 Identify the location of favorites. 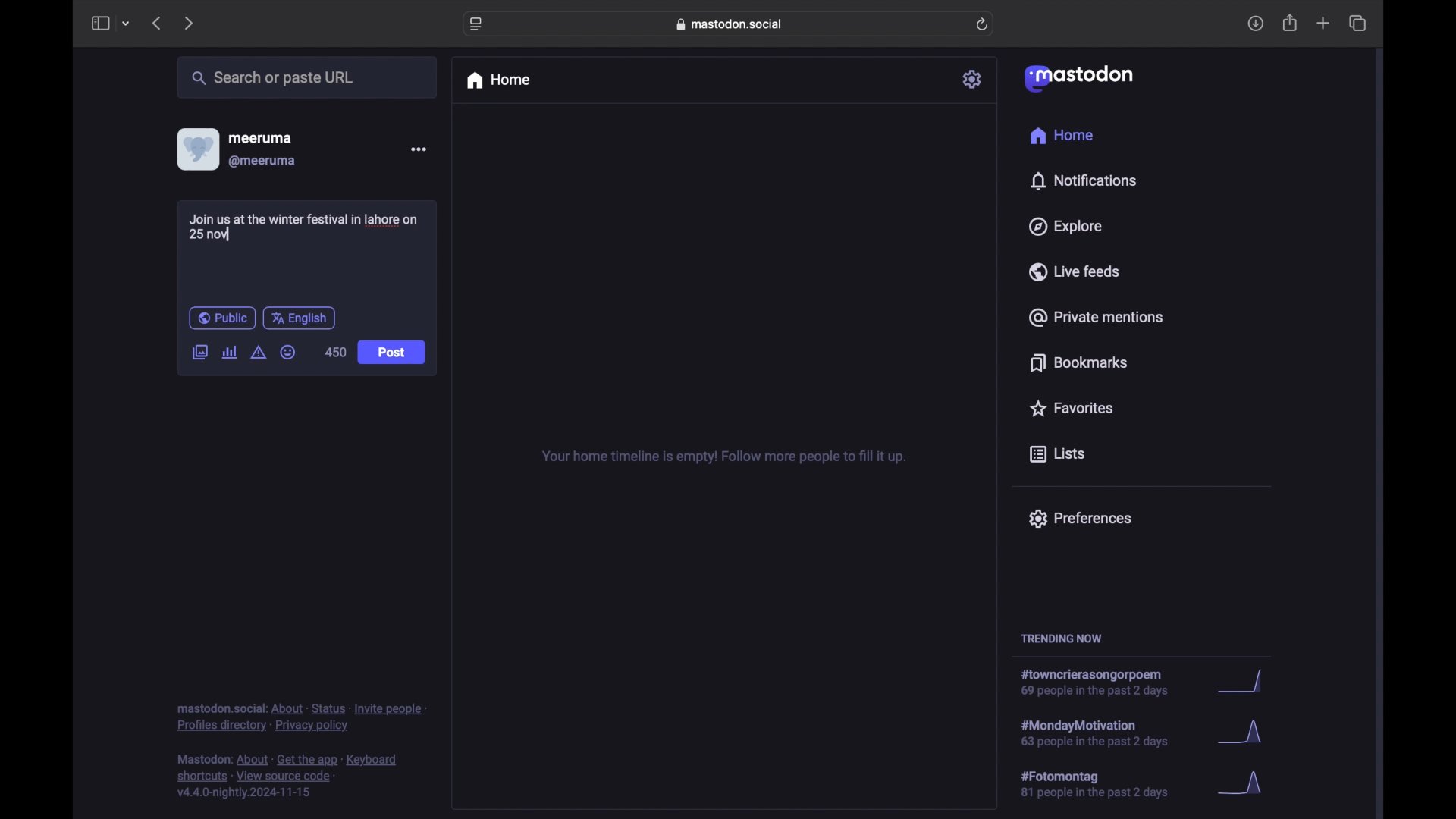
(1070, 408).